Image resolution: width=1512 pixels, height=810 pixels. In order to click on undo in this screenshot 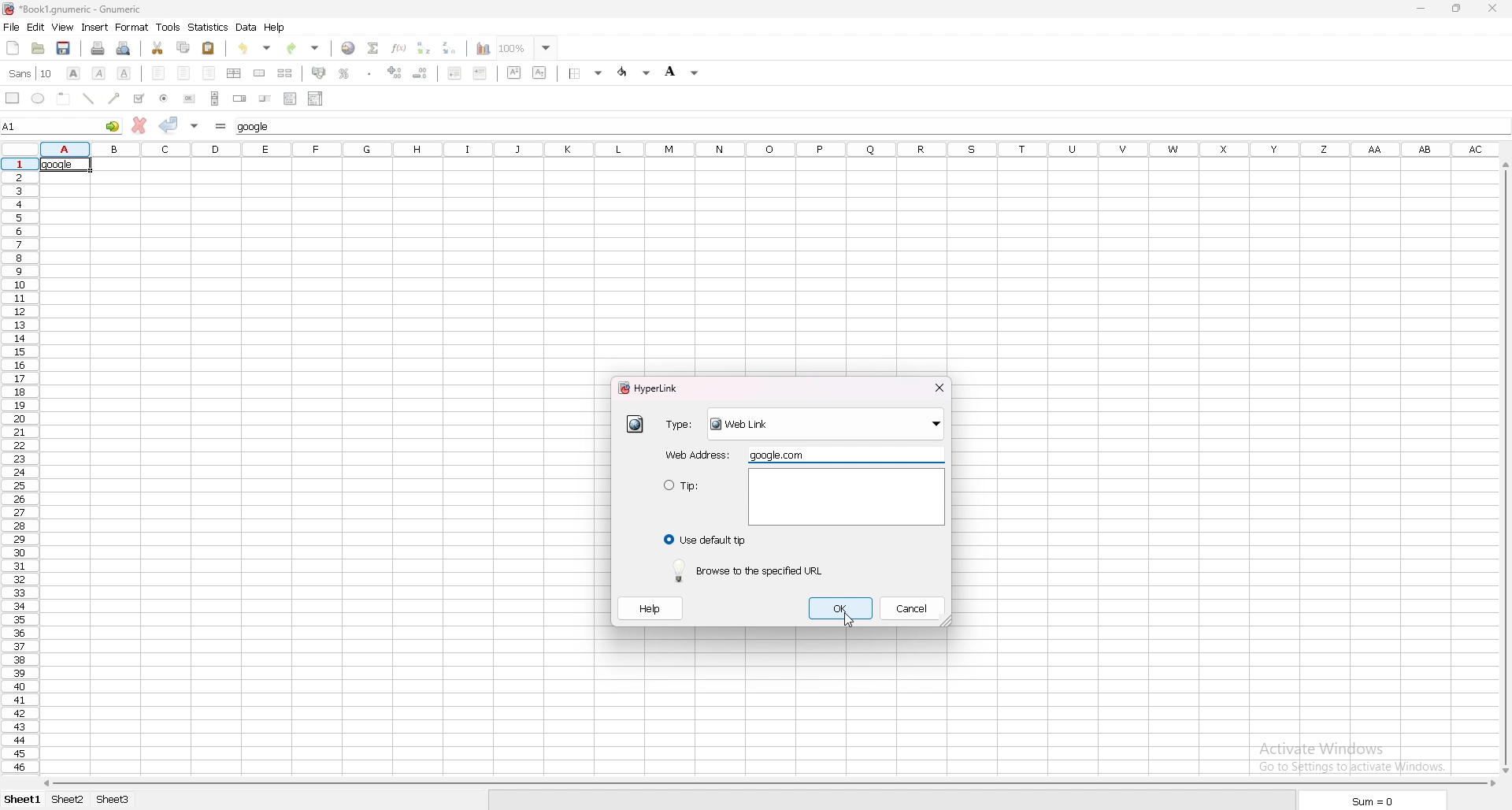, I will do `click(256, 48)`.